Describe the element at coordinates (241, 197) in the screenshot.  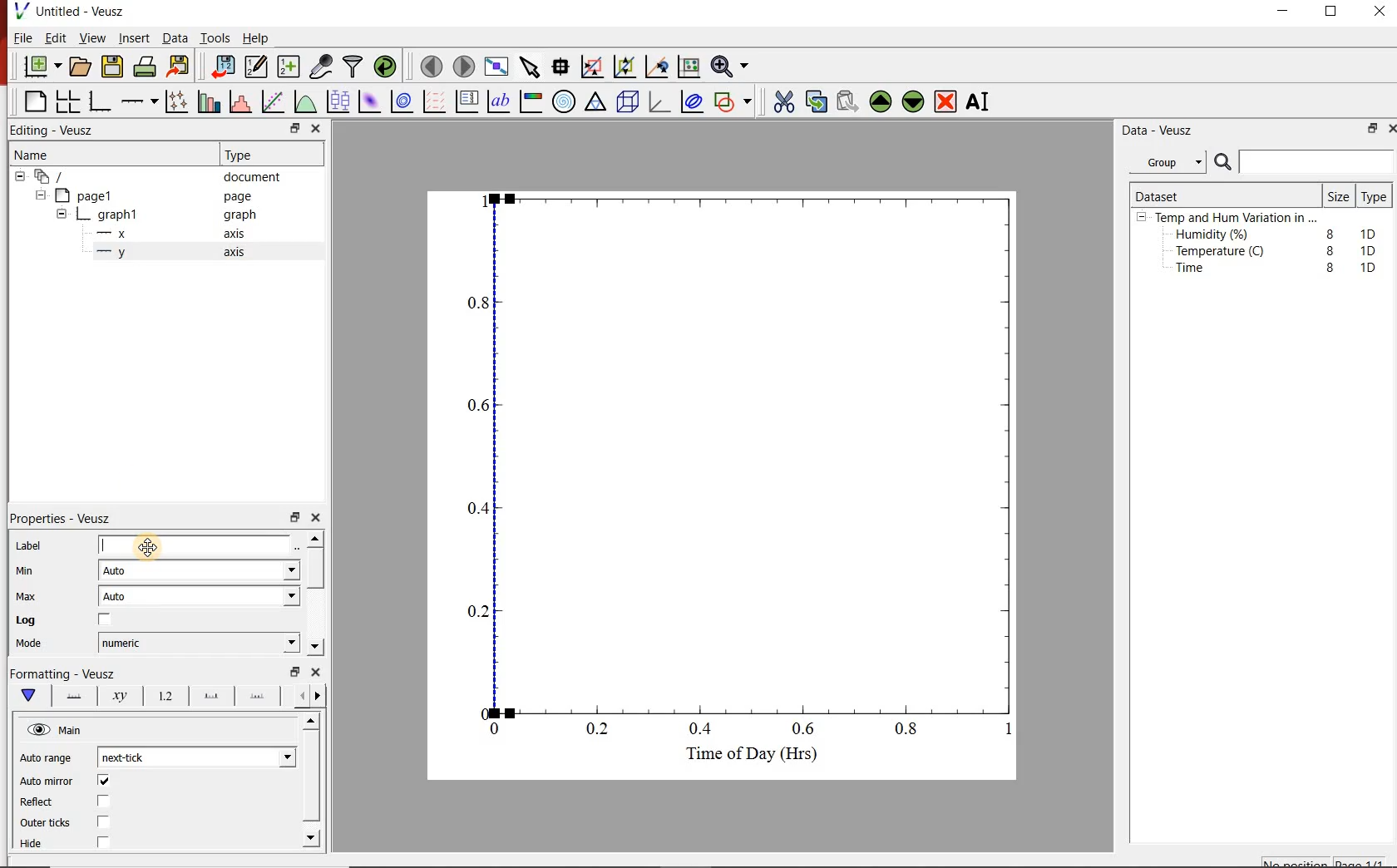
I see `page` at that location.